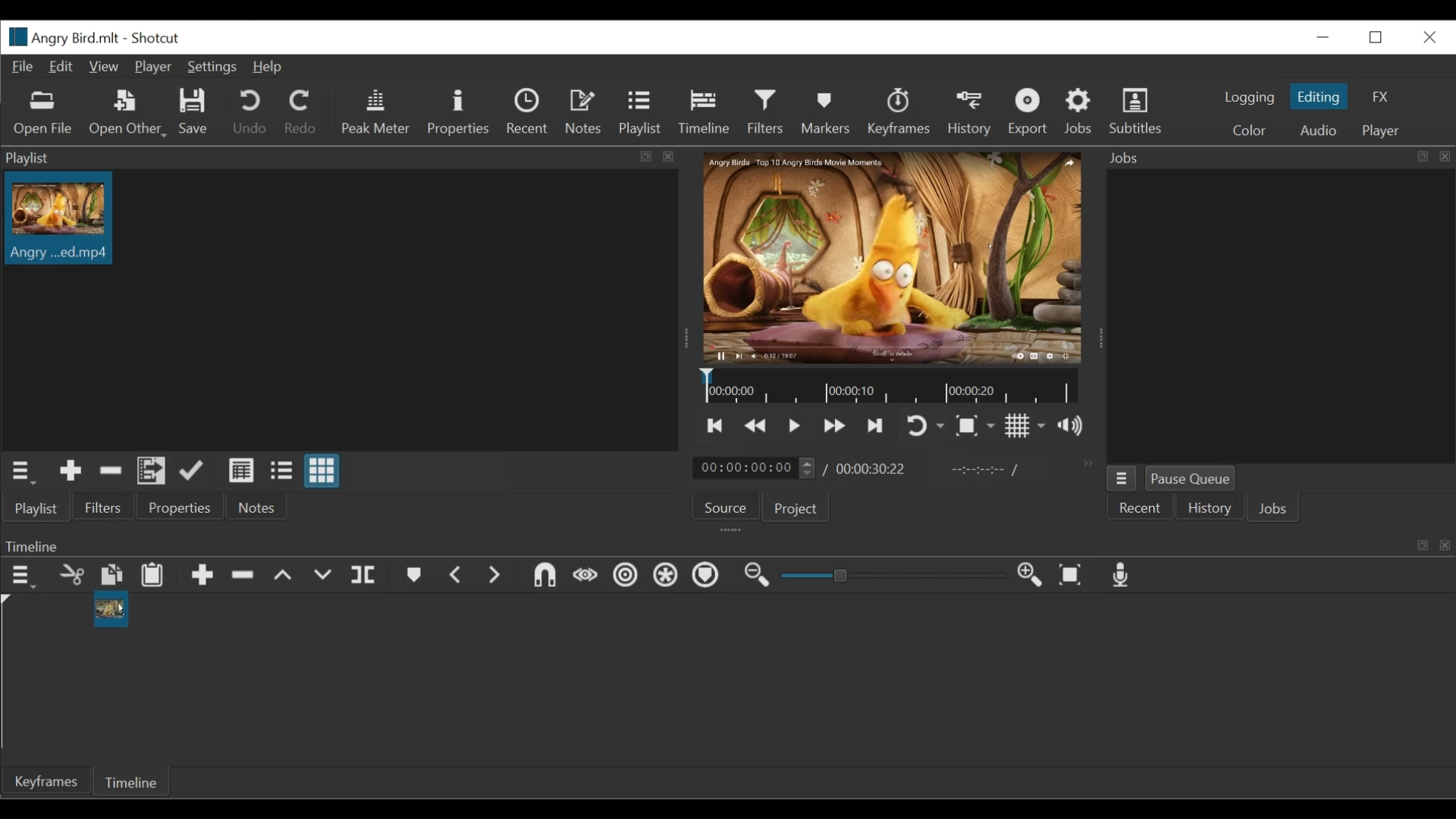  What do you see at coordinates (823, 111) in the screenshot?
I see `Markers` at bounding box center [823, 111].